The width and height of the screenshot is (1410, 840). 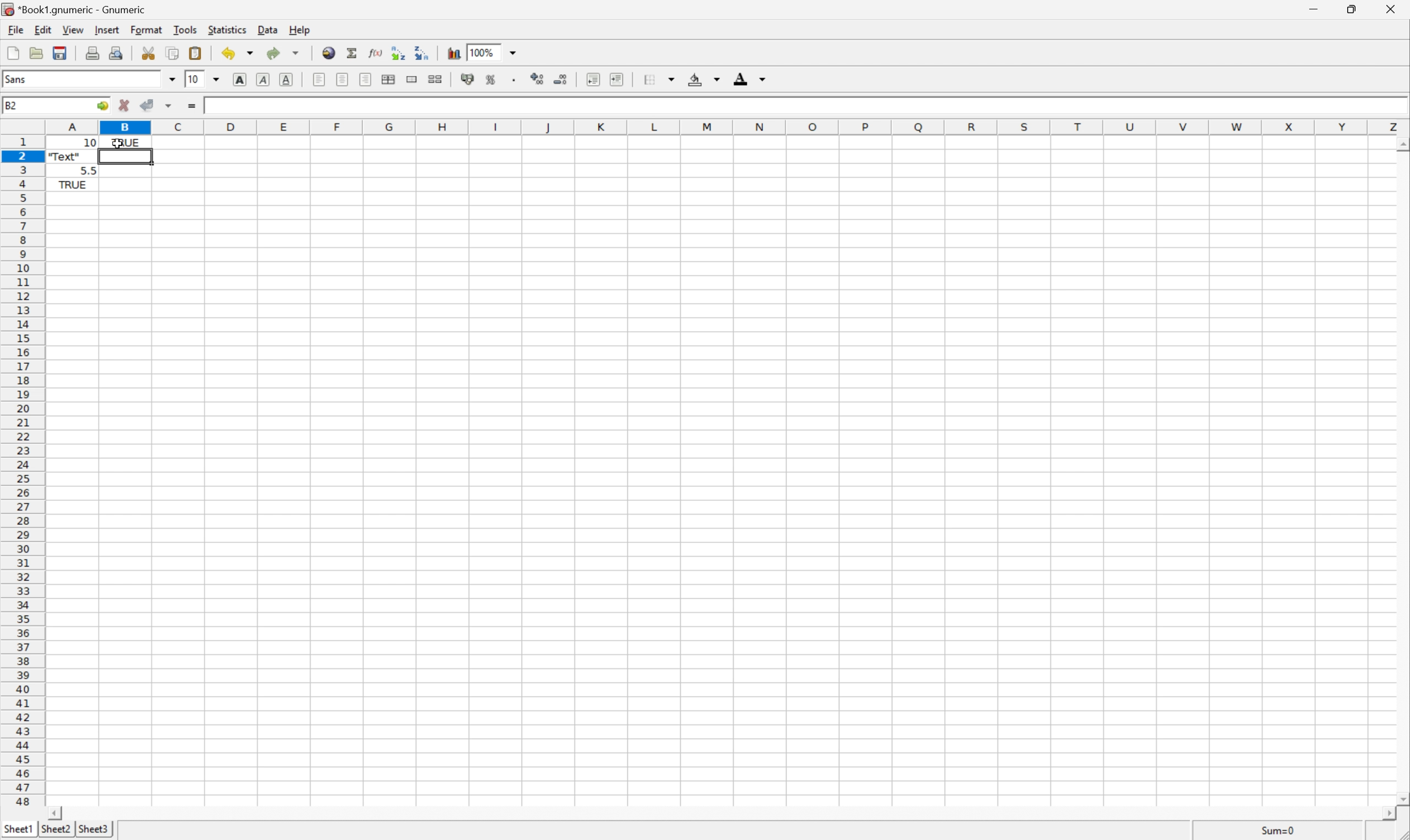 I want to click on Scroll Down, so click(x=1400, y=797).